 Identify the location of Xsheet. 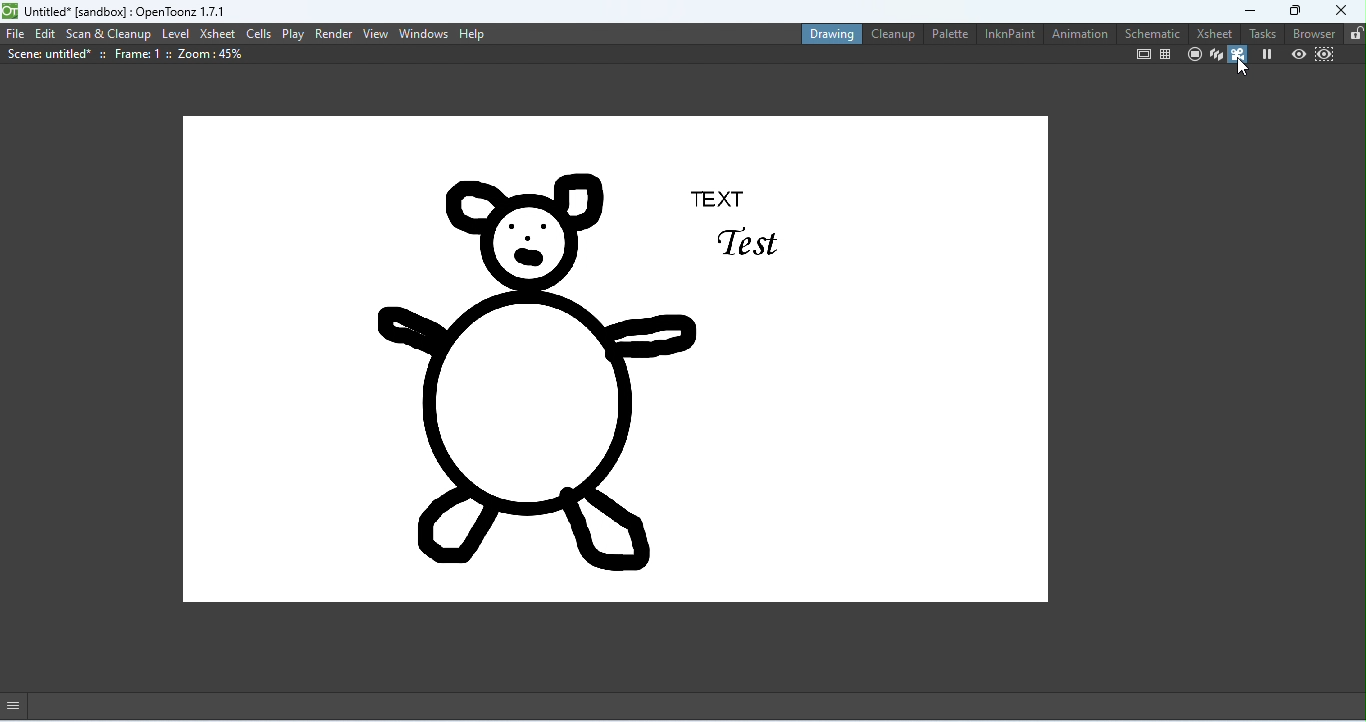
(217, 34).